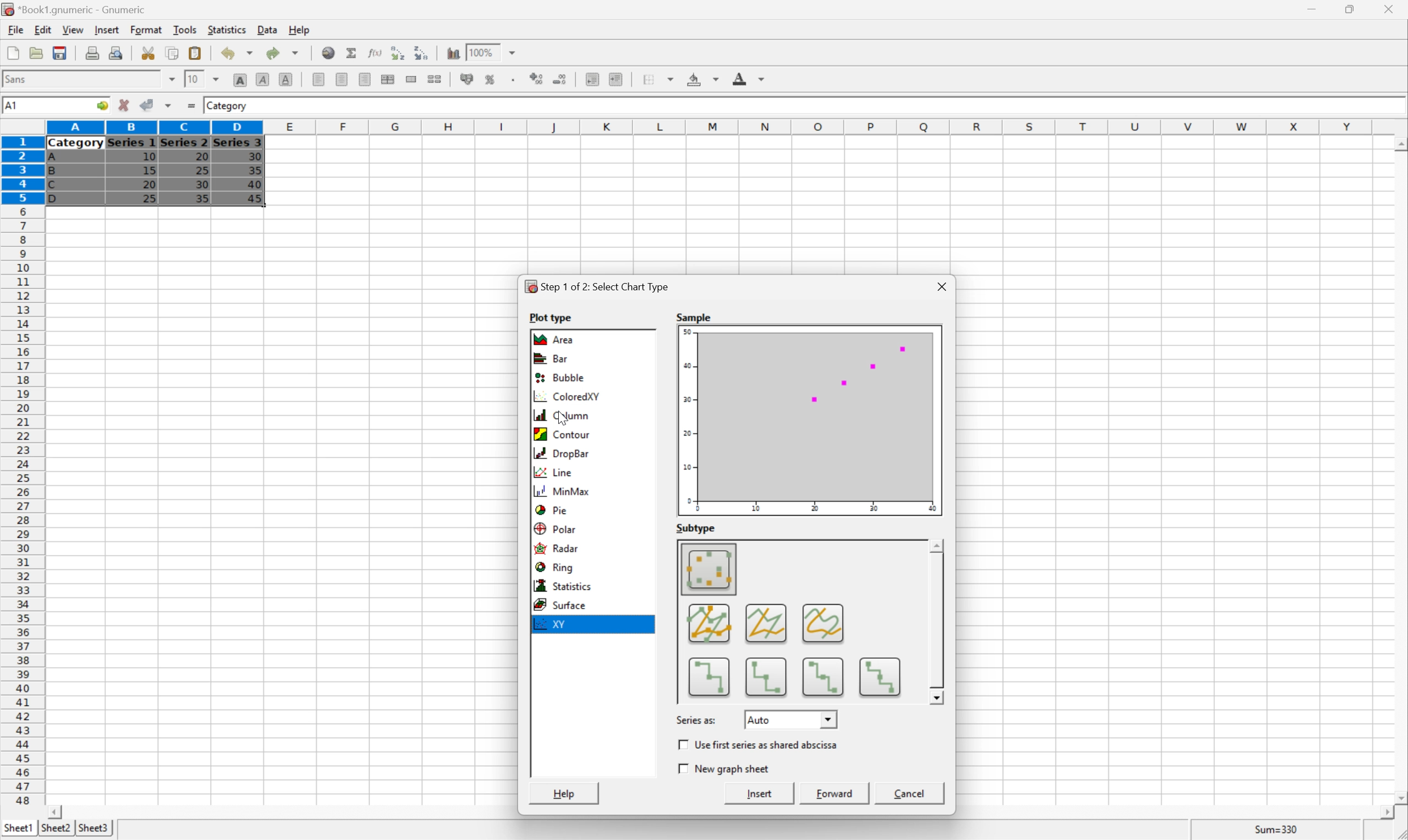 The height and width of the screenshot is (840, 1408). What do you see at coordinates (837, 792) in the screenshot?
I see `Forward` at bounding box center [837, 792].